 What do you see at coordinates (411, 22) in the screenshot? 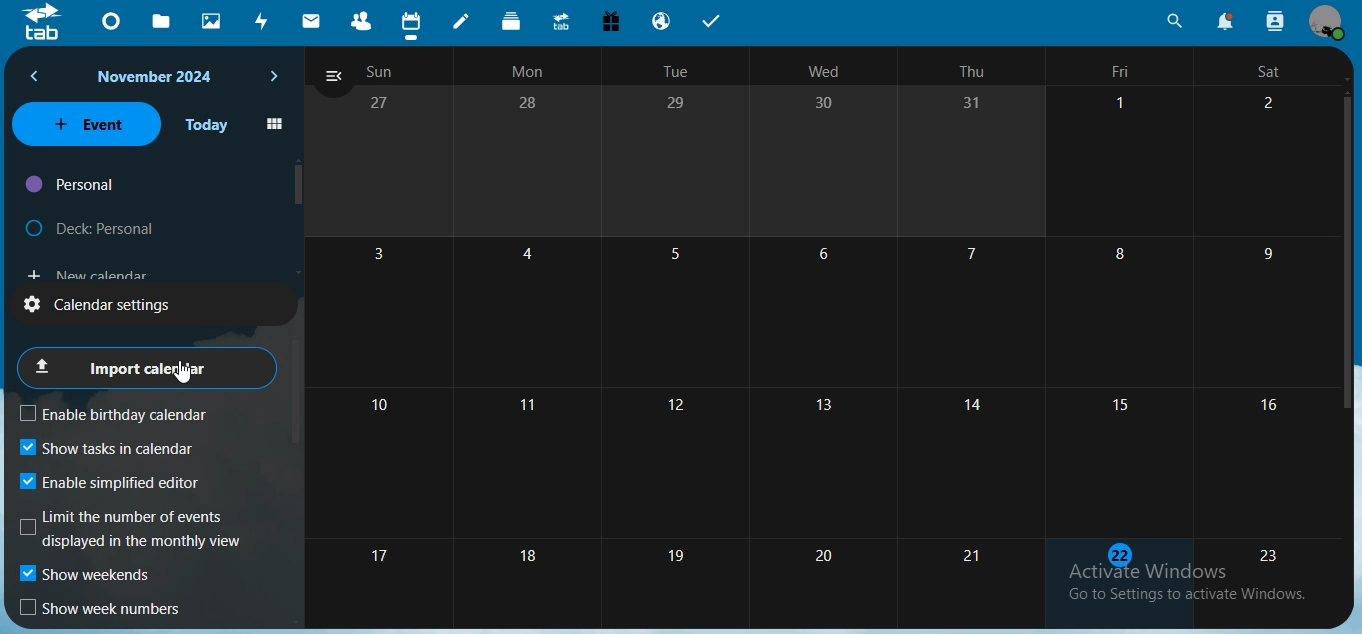
I see `calendar` at bounding box center [411, 22].